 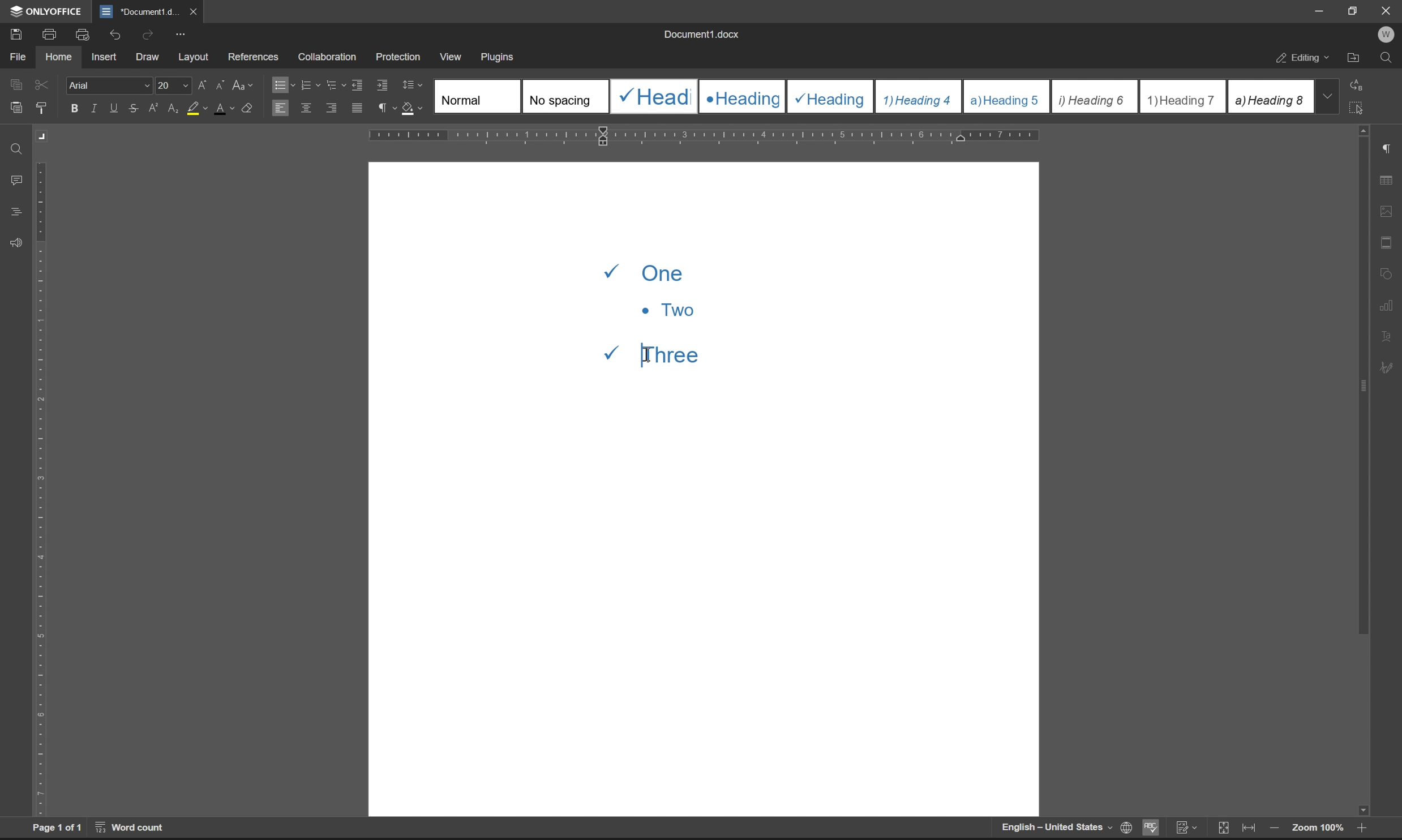 What do you see at coordinates (201, 83) in the screenshot?
I see `increment font case` at bounding box center [201, 83].